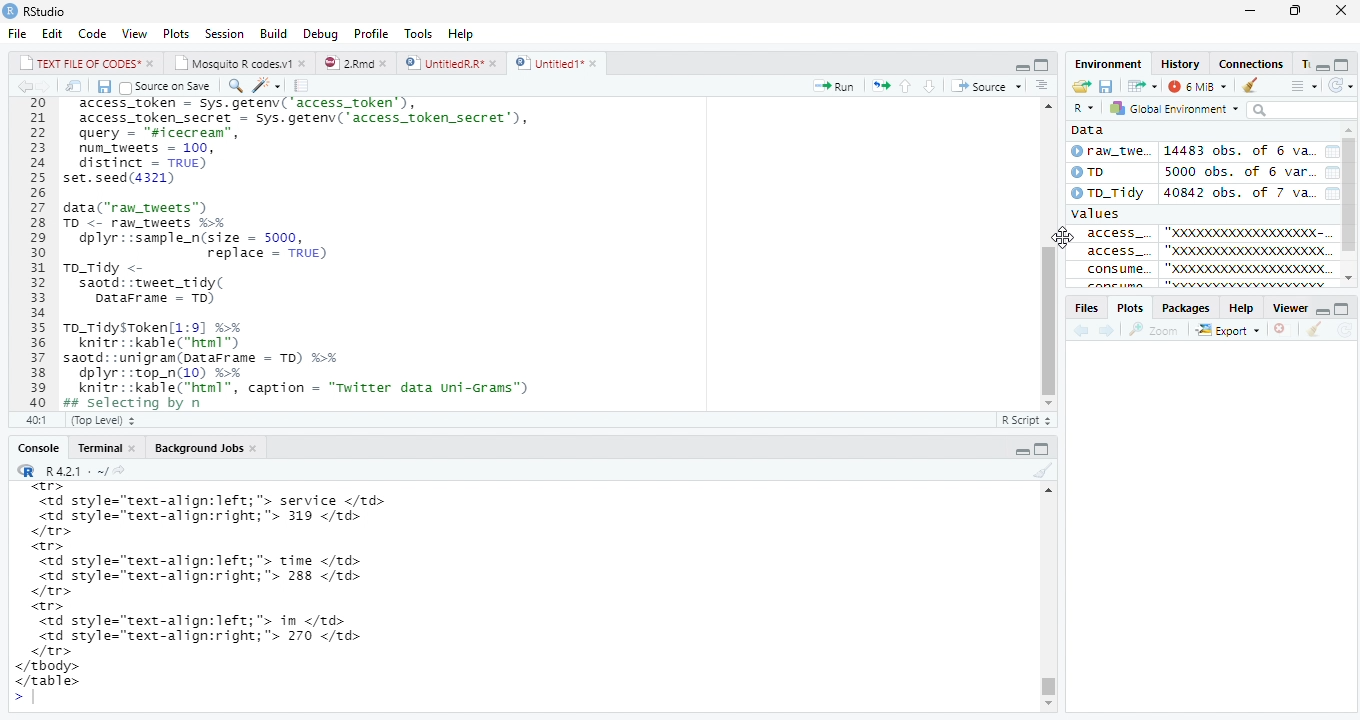 The width and height of the screenshot is (1360, 720). Describe the element at coordinates (1285, 330) in the screenshot. I see `remove viewer` at that location.